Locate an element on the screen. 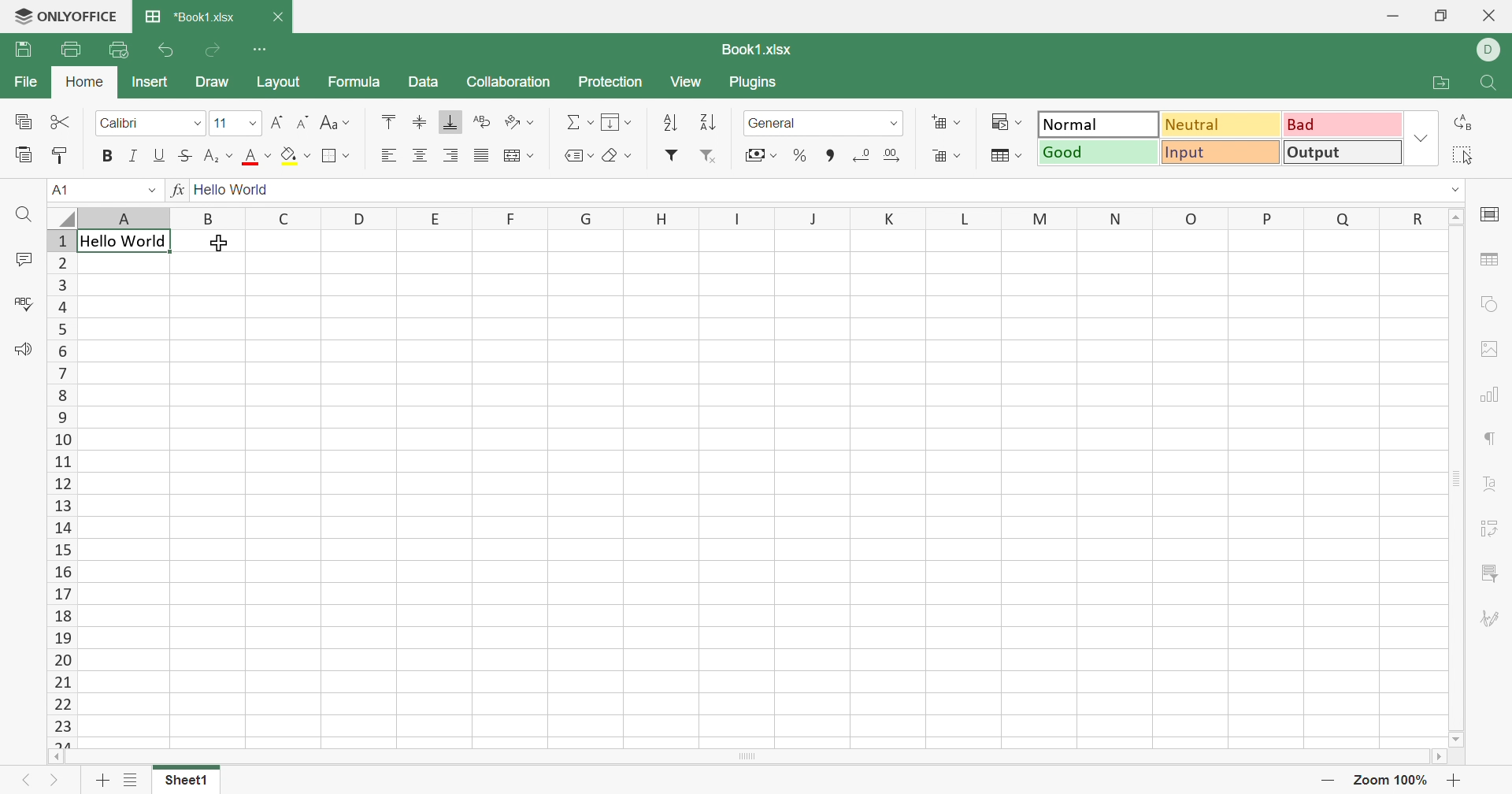 Image resolution: width=1512 pixels, height=794 pixels. Print file is located at coordinates (69, 49).